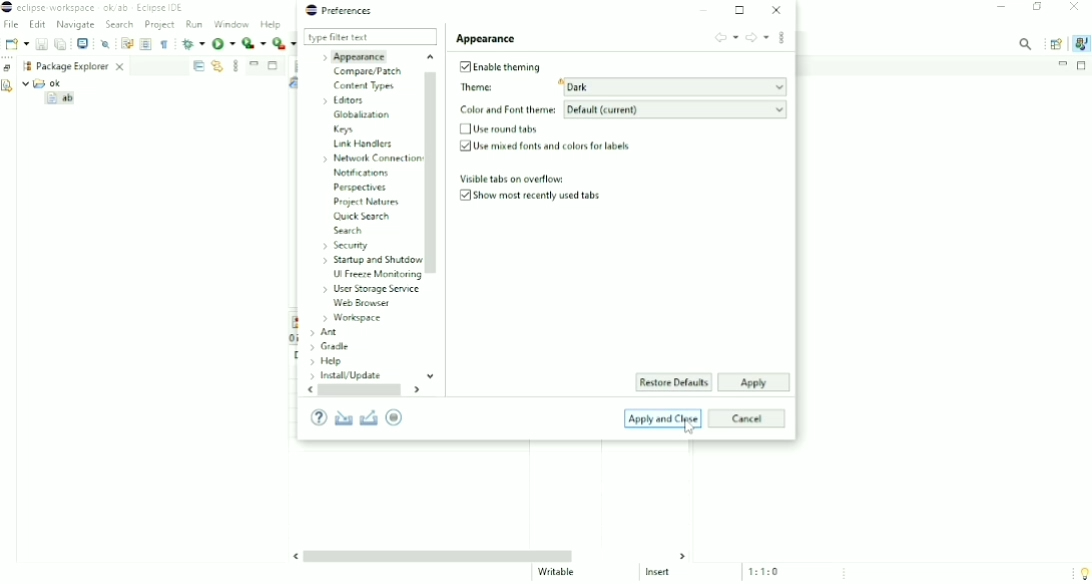 This screenshot has height=584, width=1092. I want to click on Skip All Breakpoints, so click(106, 43).